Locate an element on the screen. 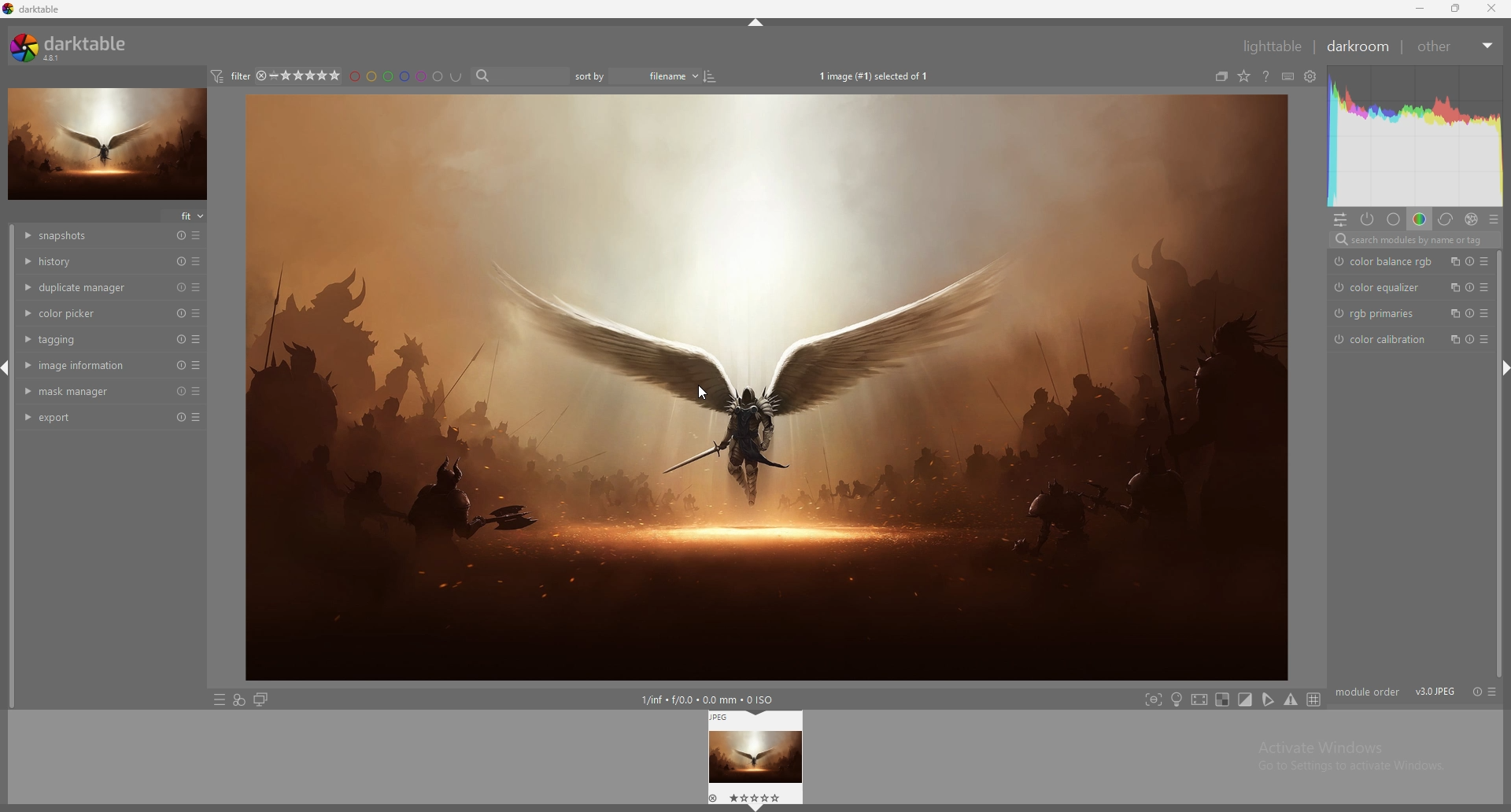 This screenshot has height=812, width=1511. color graph is located at coordinates (1414, 136).